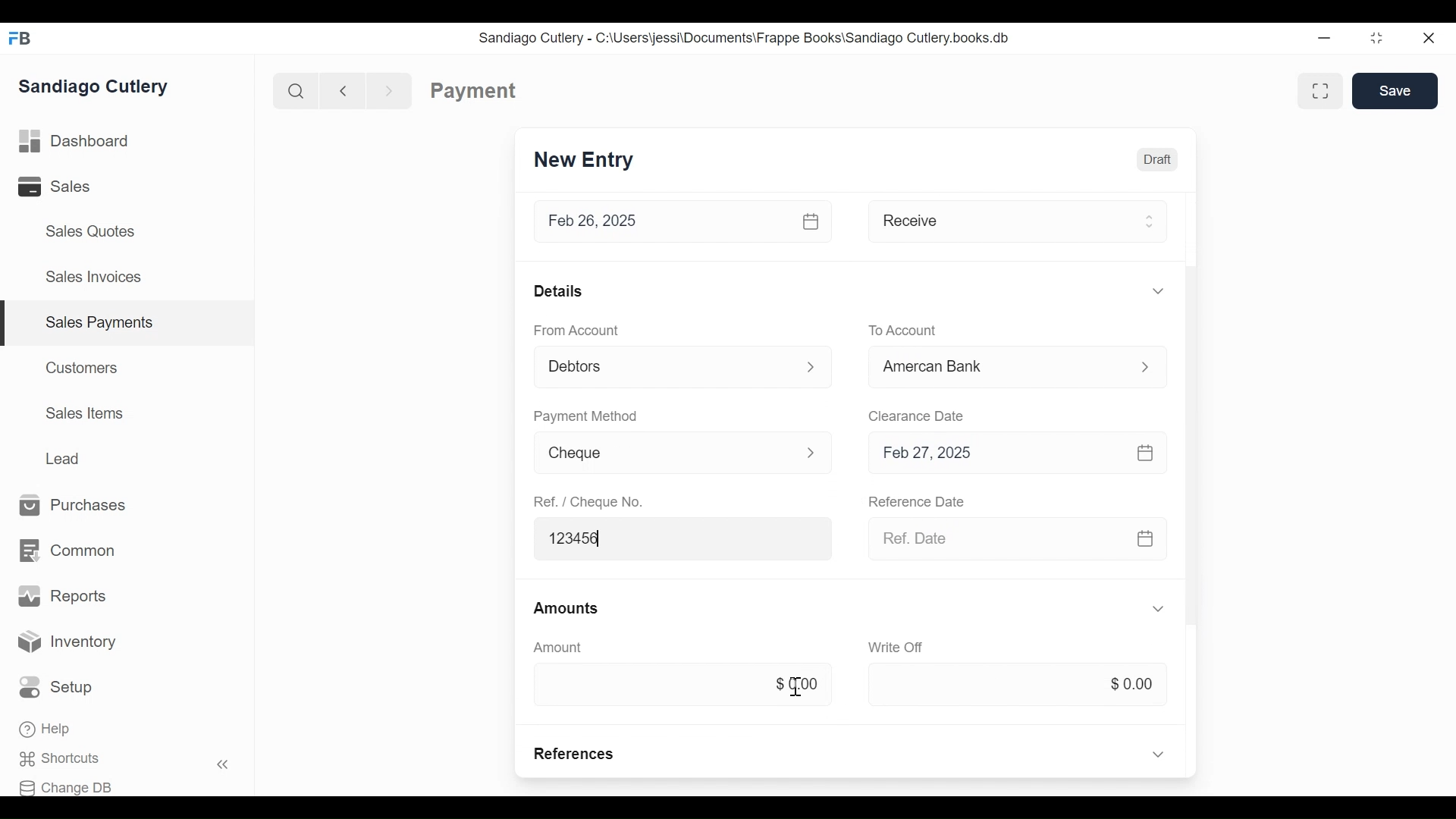 Image resolution: width=1456 pixels, height=819 pixels. What do you see at coordinates (898, 647) in the screenshot?
I see `‘Write Off` at bounding box center [898, 647].